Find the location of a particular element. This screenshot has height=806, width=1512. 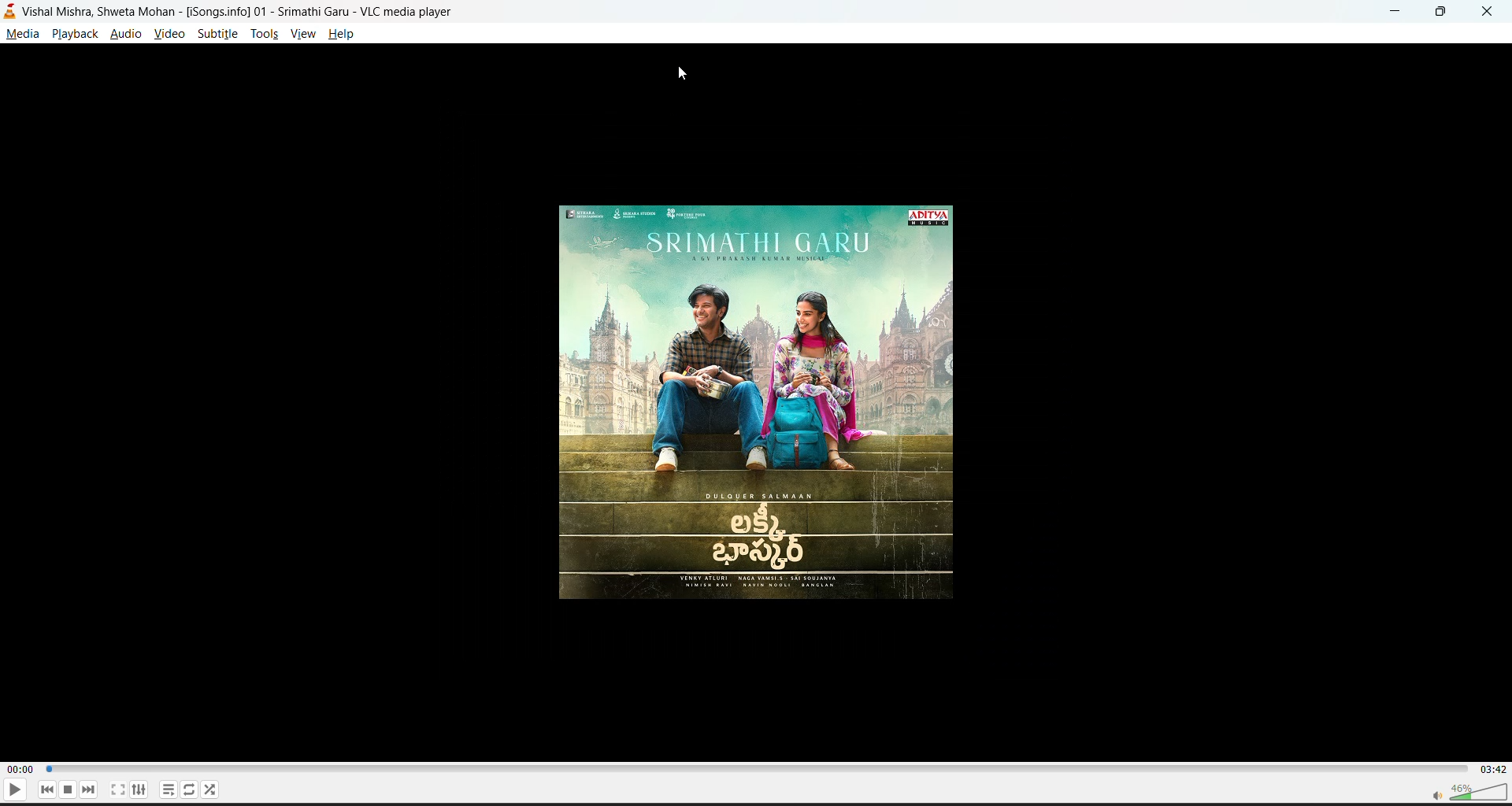

help is located at coordinates (346, 34).